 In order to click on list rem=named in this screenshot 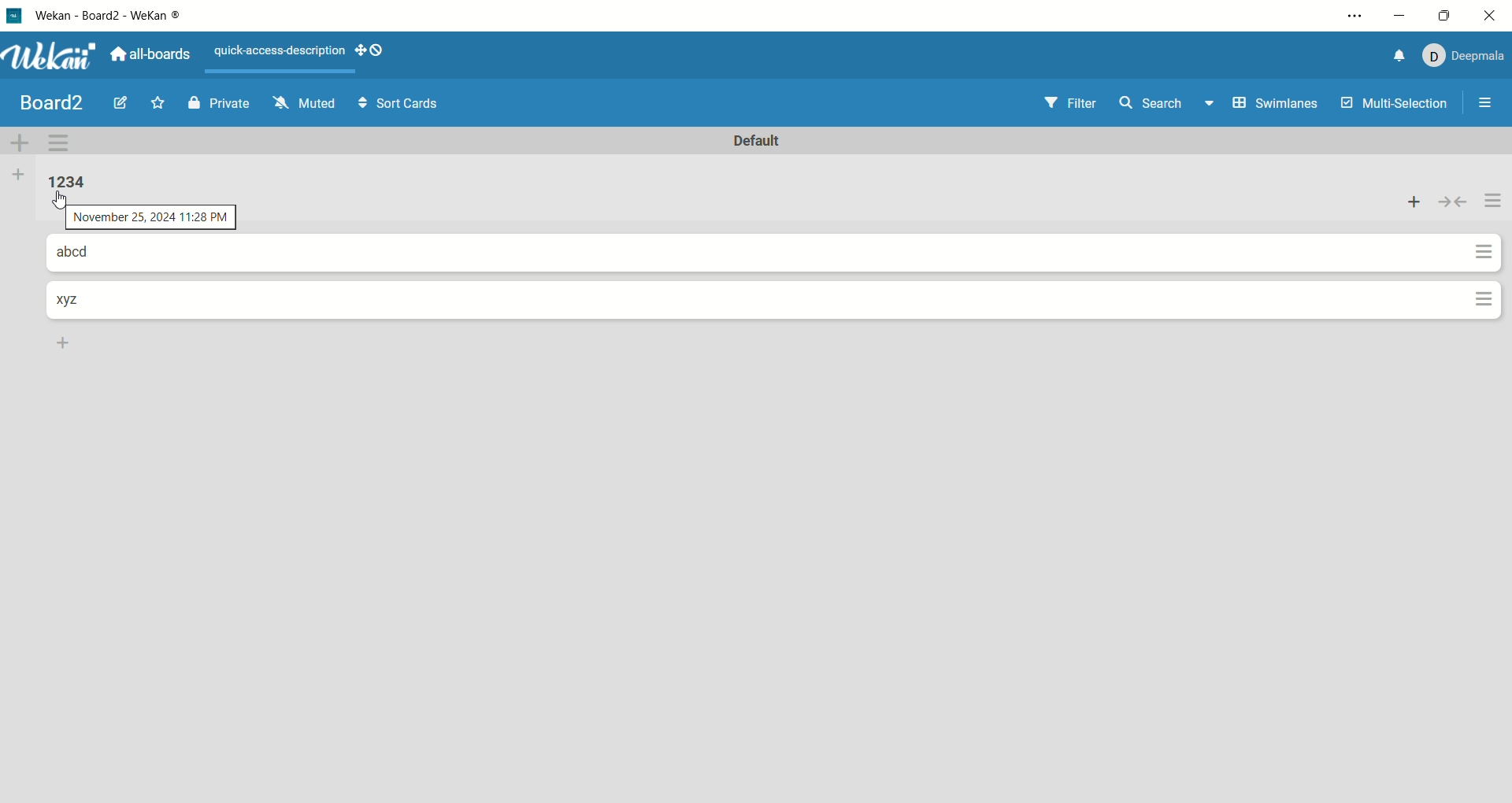, I will do `click(72, 183)`.